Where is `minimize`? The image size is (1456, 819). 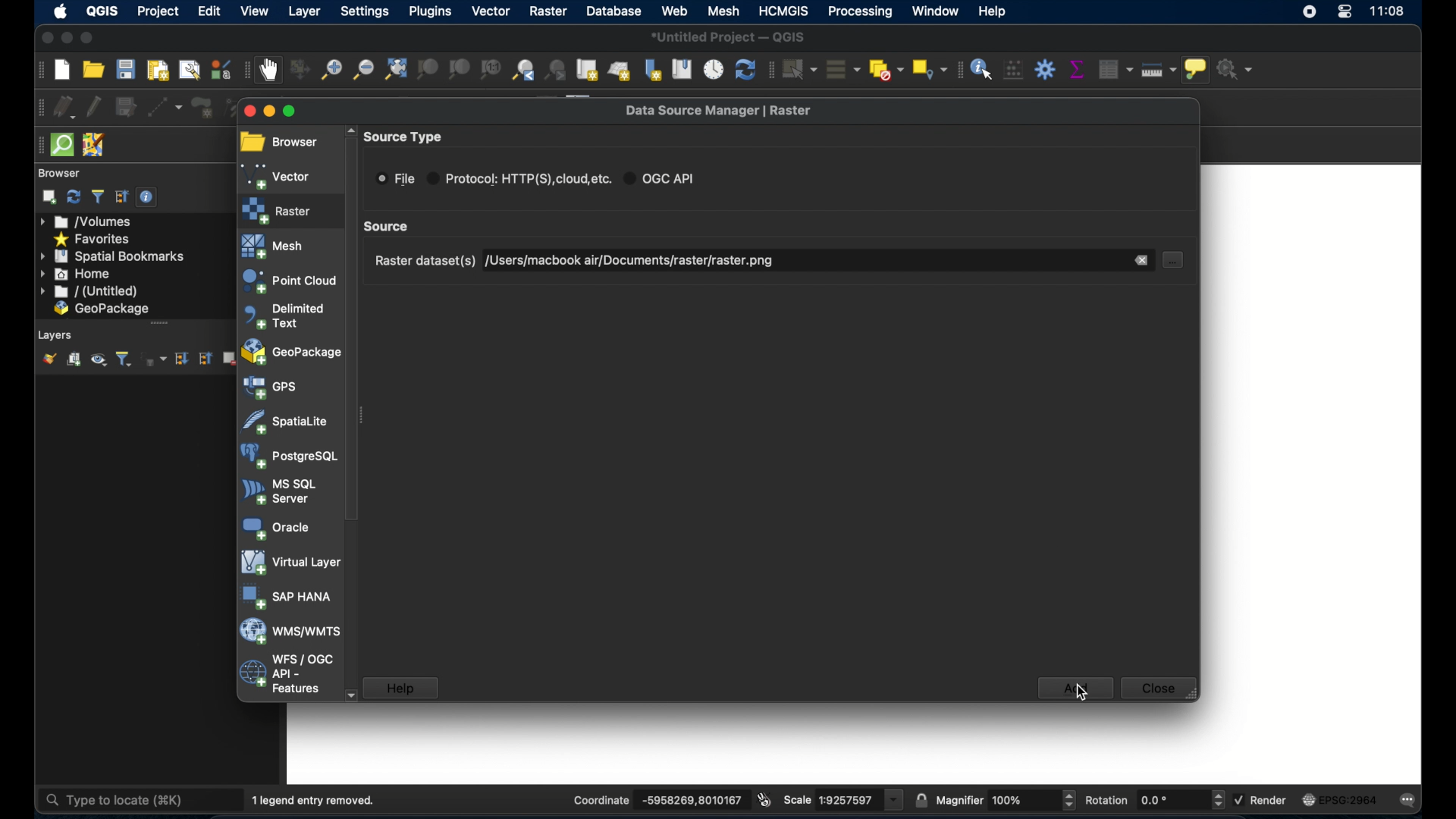 minimize is located at coordinates (267, 109).